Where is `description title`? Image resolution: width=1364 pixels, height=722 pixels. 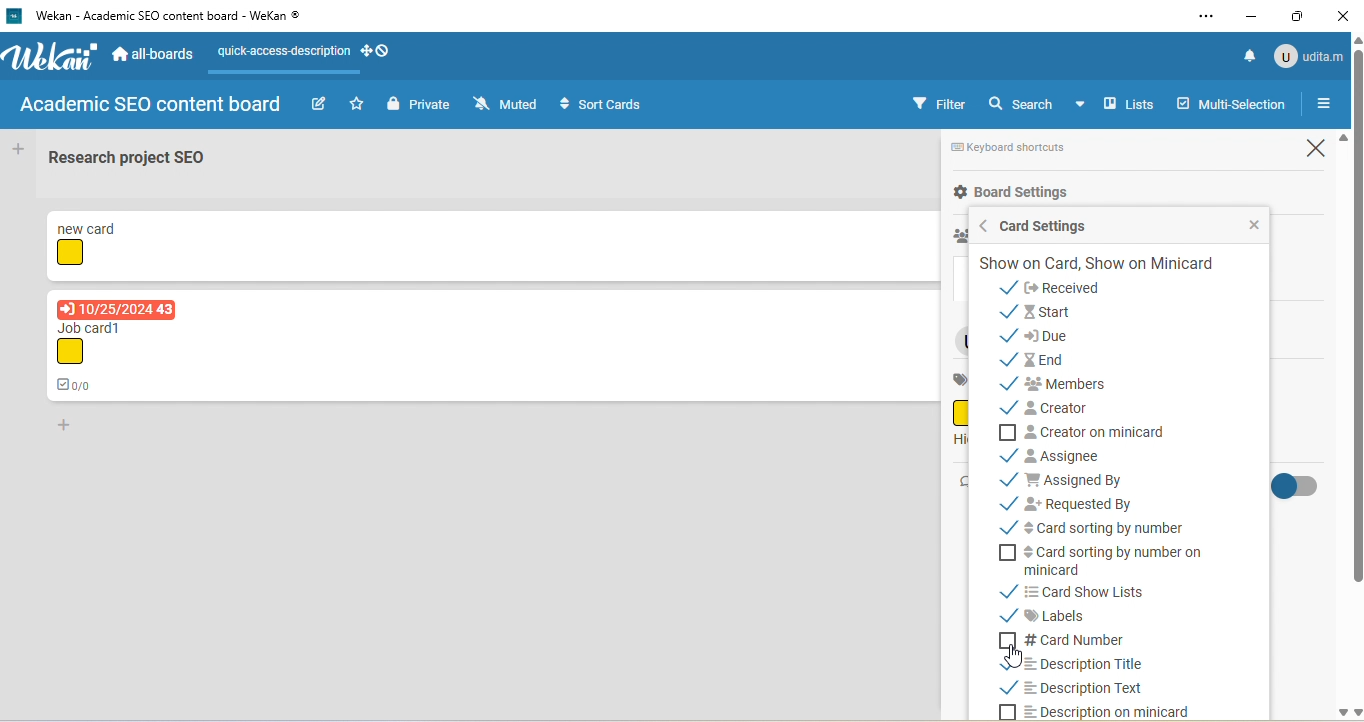 description title is located at coordinates (1070, 663).